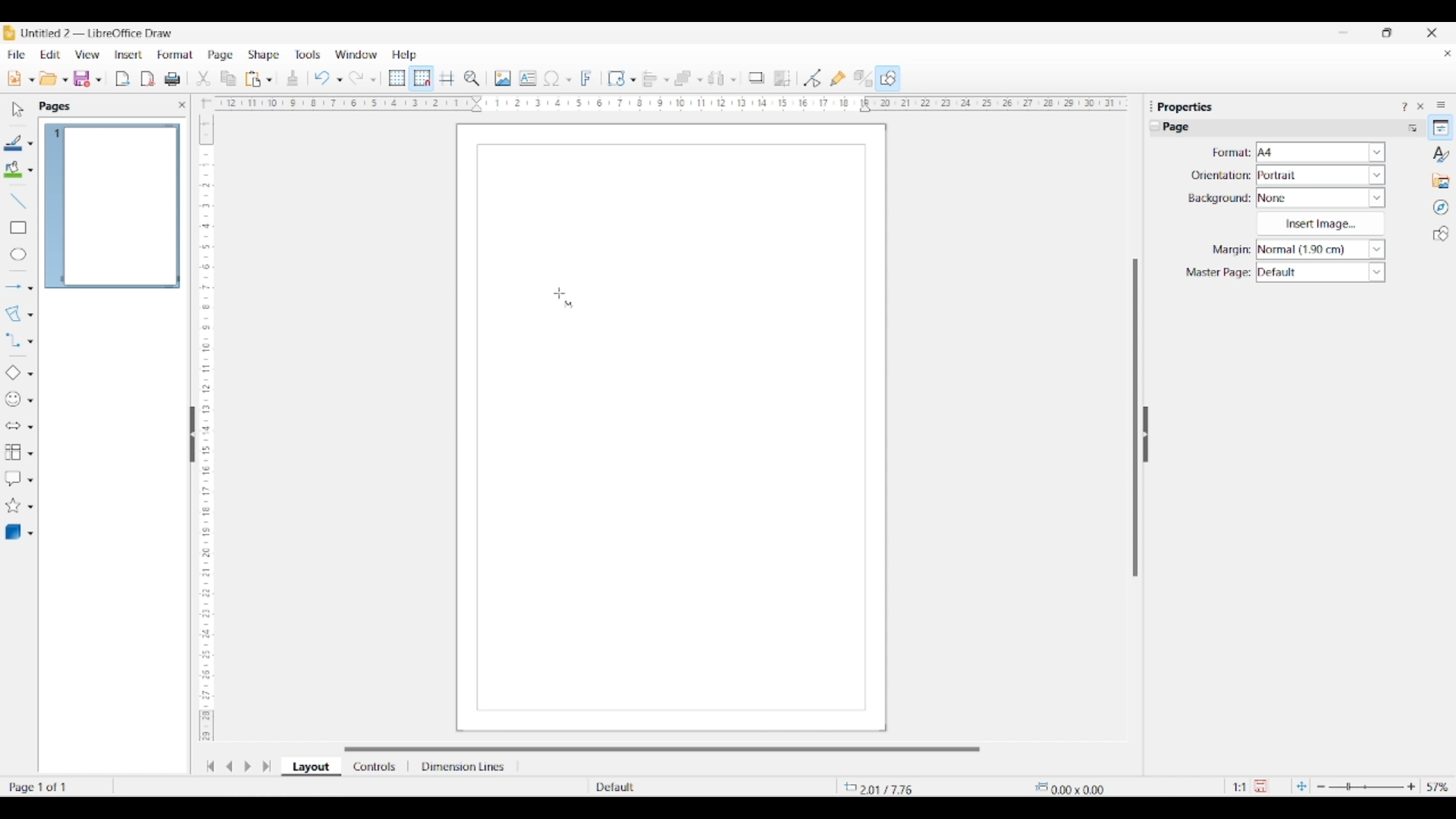 Image resolution: width=1456 pixels, height=819 pixels. I want to click on Section title - Pages, so click(58, 106).